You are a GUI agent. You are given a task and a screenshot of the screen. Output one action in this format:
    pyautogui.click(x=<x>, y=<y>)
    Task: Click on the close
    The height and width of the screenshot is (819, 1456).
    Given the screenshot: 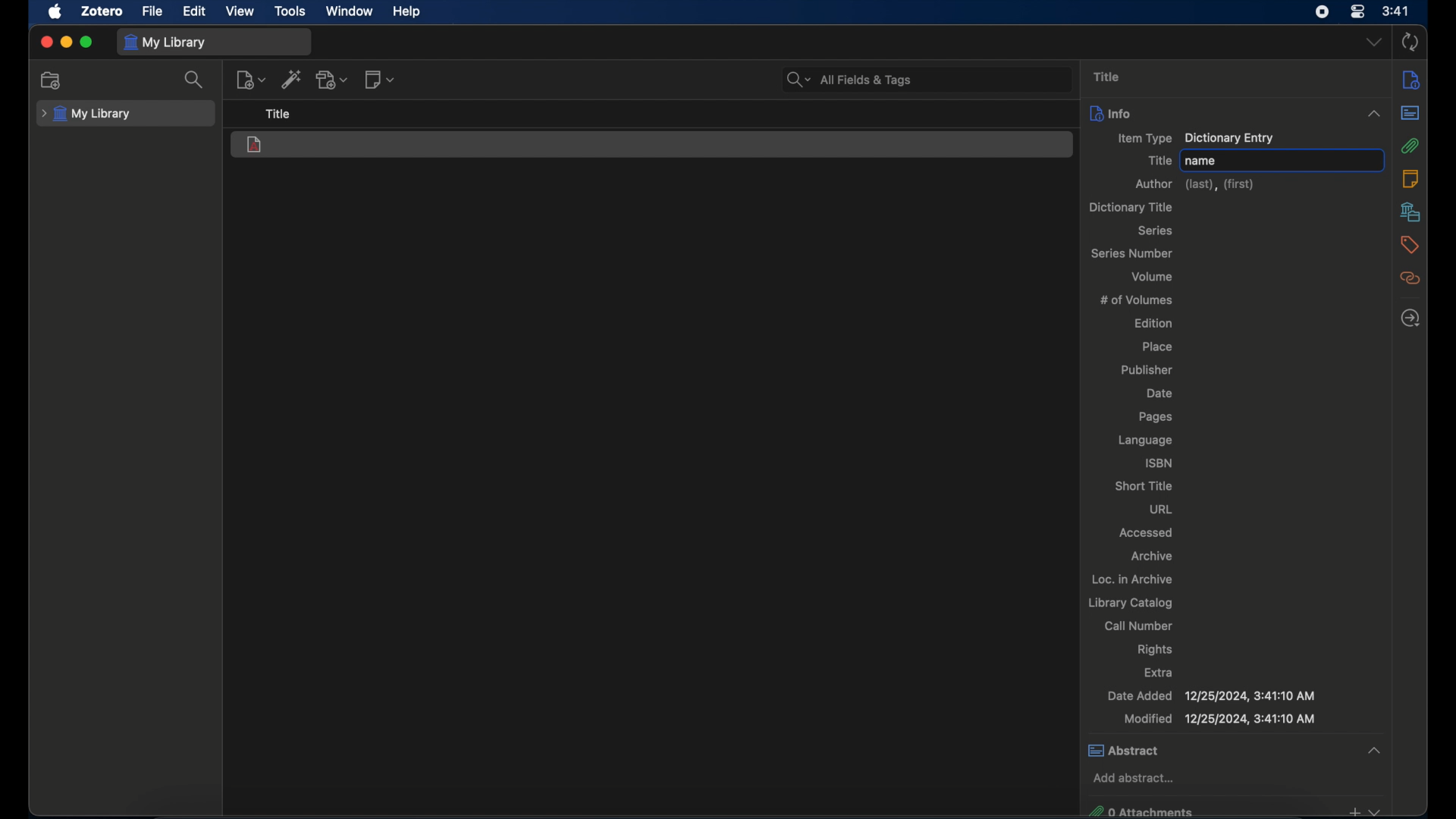 What is the action you would take?
    pyautogui.click(x=45, y=42)
    